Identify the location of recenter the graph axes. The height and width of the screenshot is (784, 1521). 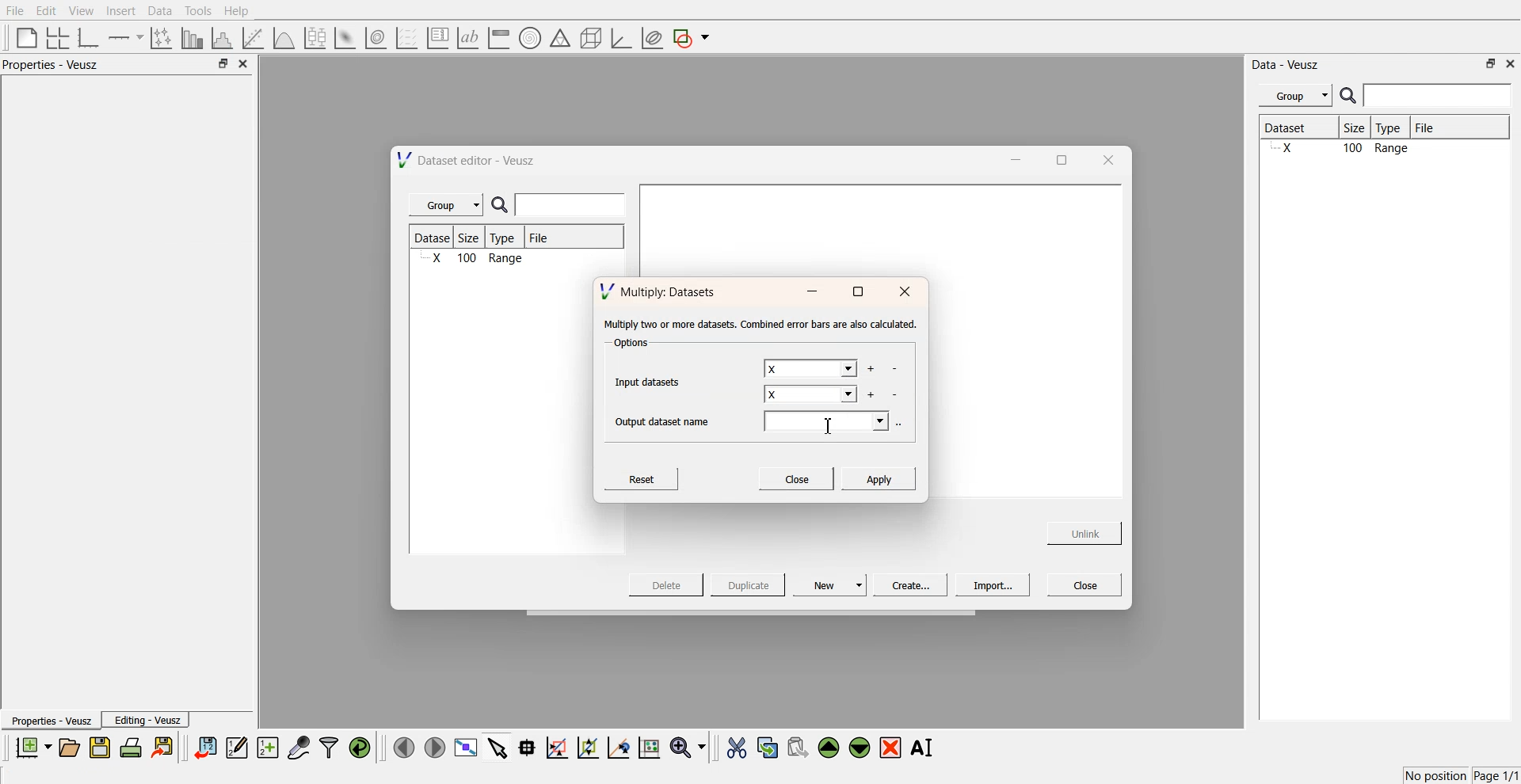
(618, 747).